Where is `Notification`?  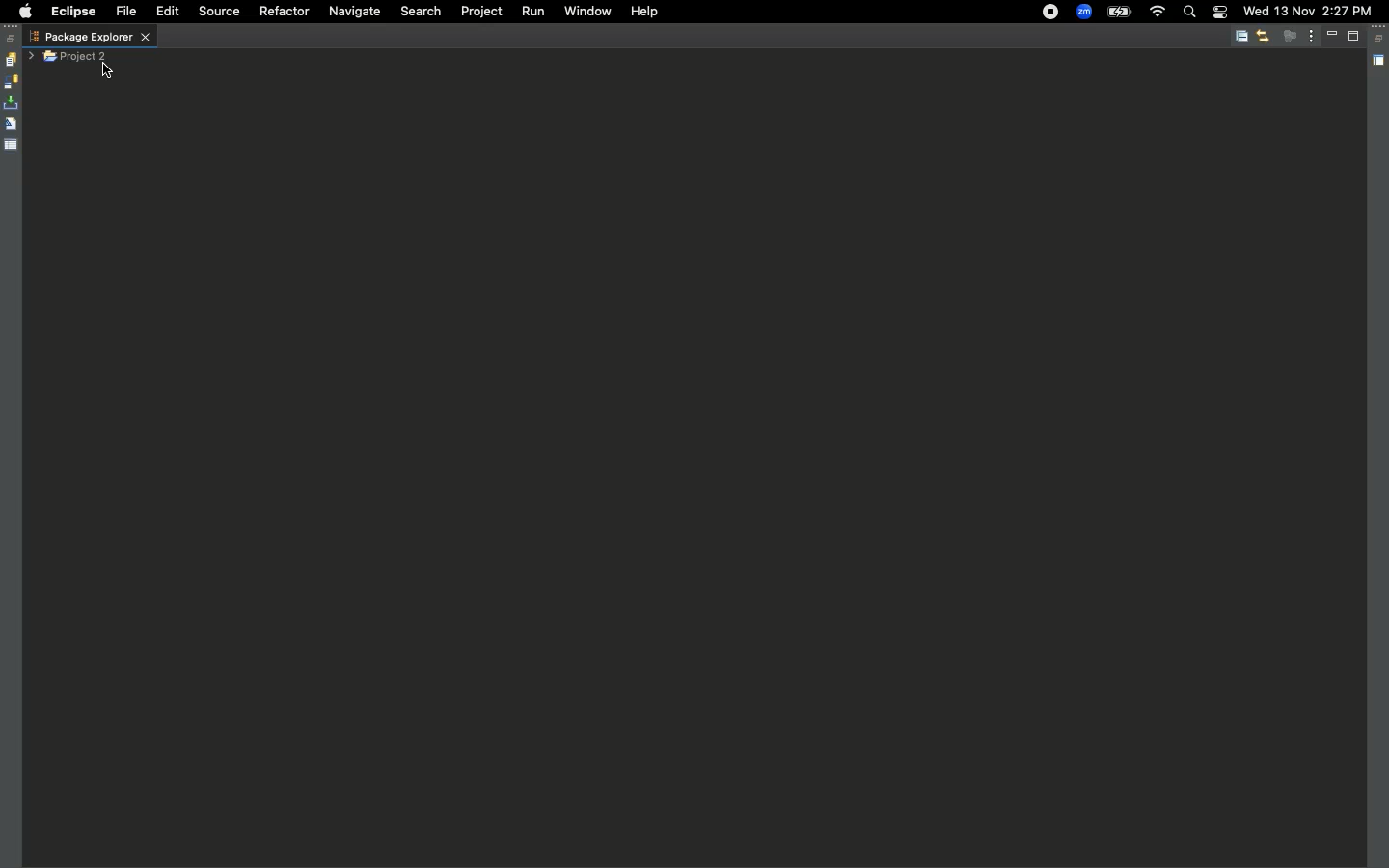
Notification is located at coordinates (1216, 12).